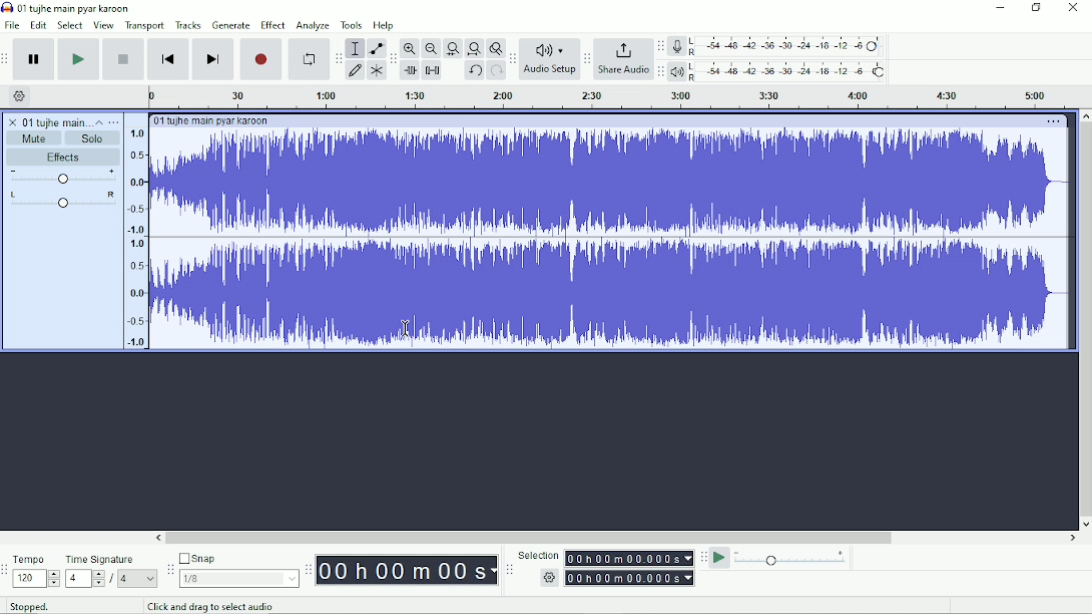 Image resolution: width=1092 pixels, height=614 pixels. Describe the element at coordinates (145, 25) in the screenshot. I see `Transport` at that location.